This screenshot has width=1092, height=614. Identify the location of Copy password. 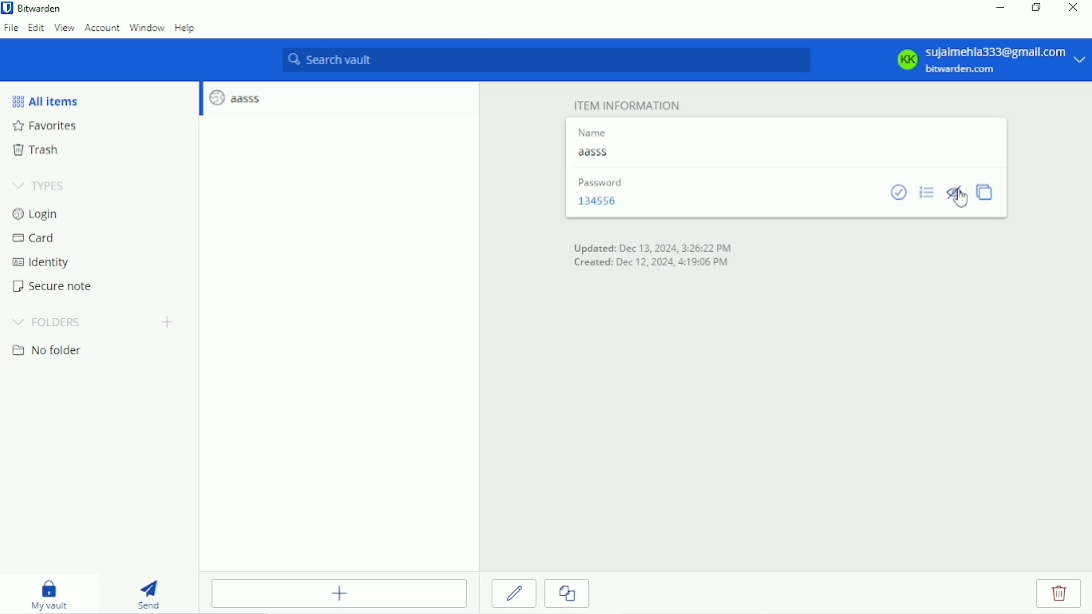
(989, 192).